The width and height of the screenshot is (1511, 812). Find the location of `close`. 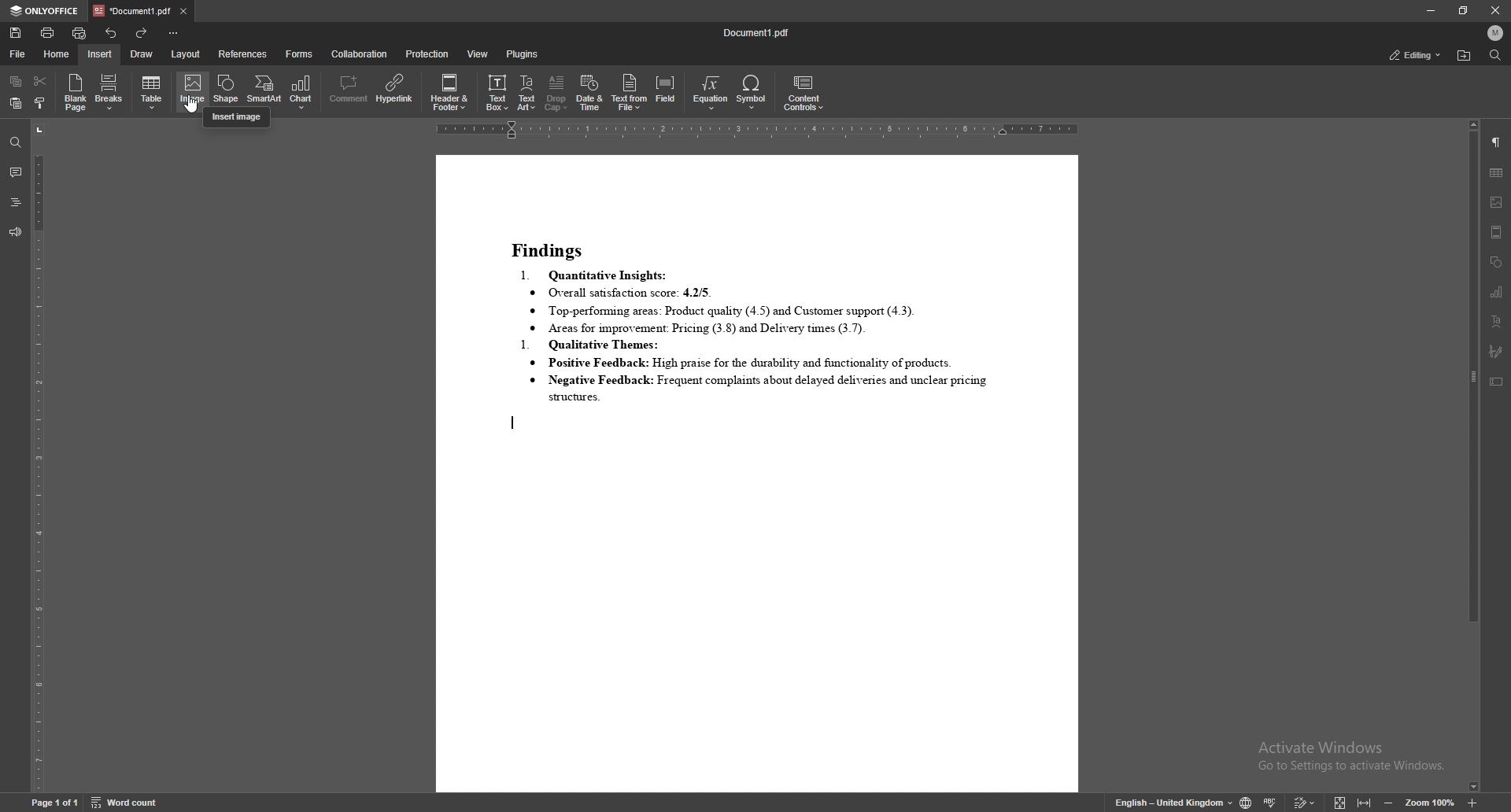

close is located at coordinates (1497, 11).